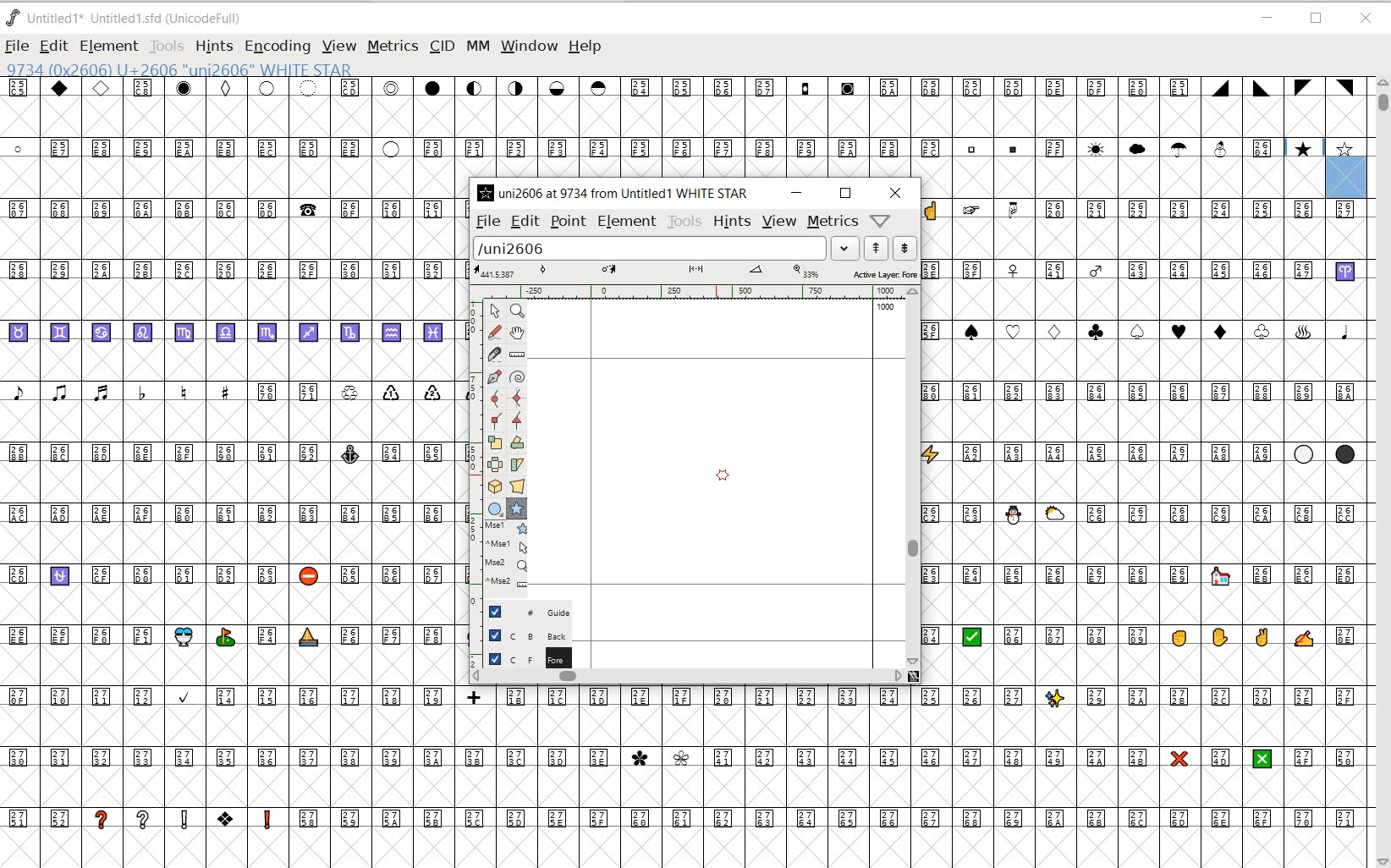  Describe the element at coordinates (891, 247) in the screenshot. I see `show previous/next word list` at that location.